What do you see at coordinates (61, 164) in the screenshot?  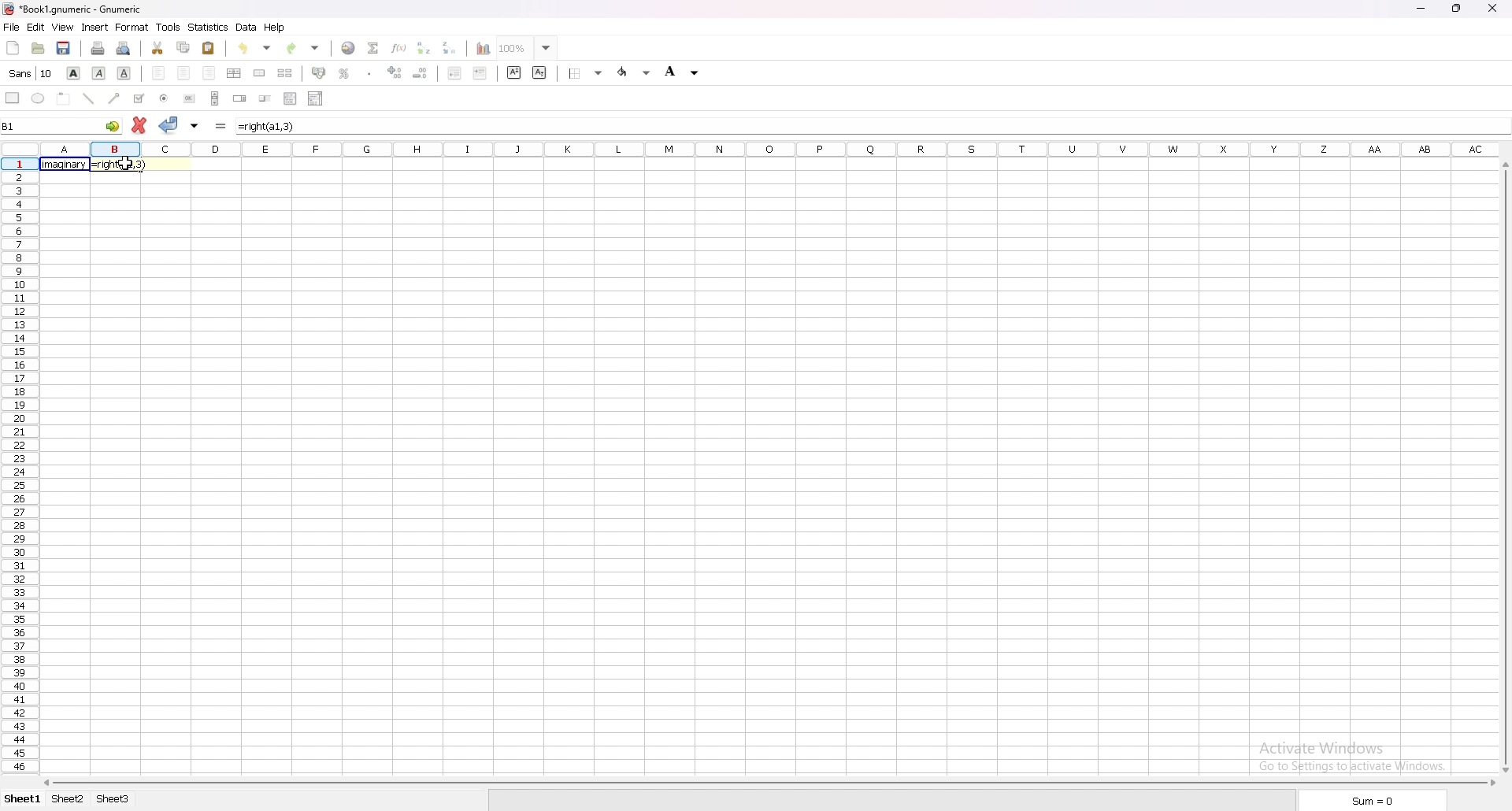 I see `word` at bounding box center [61, 164].